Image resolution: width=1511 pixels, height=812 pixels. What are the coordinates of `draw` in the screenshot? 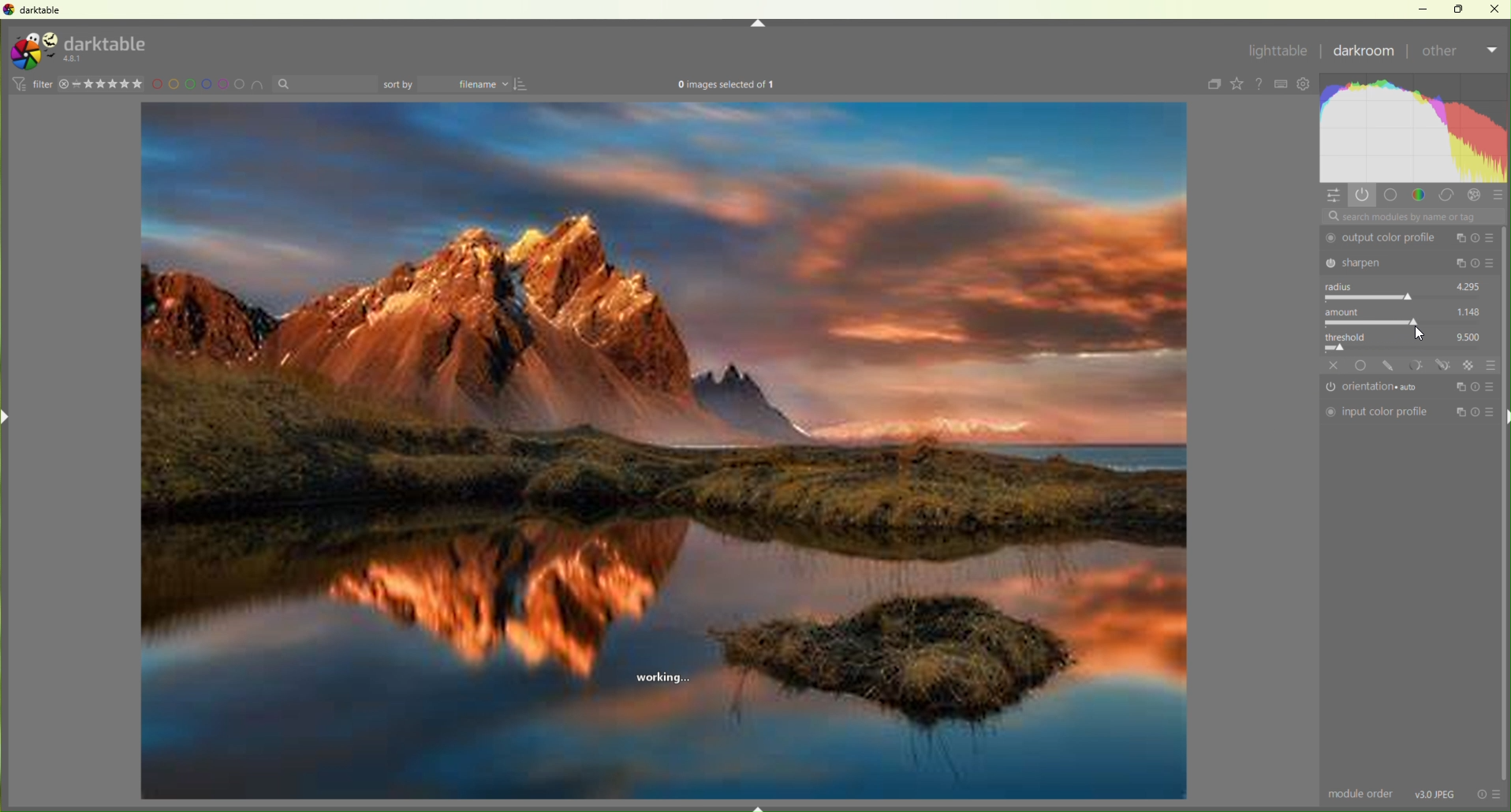 It's located at (1390, 366).